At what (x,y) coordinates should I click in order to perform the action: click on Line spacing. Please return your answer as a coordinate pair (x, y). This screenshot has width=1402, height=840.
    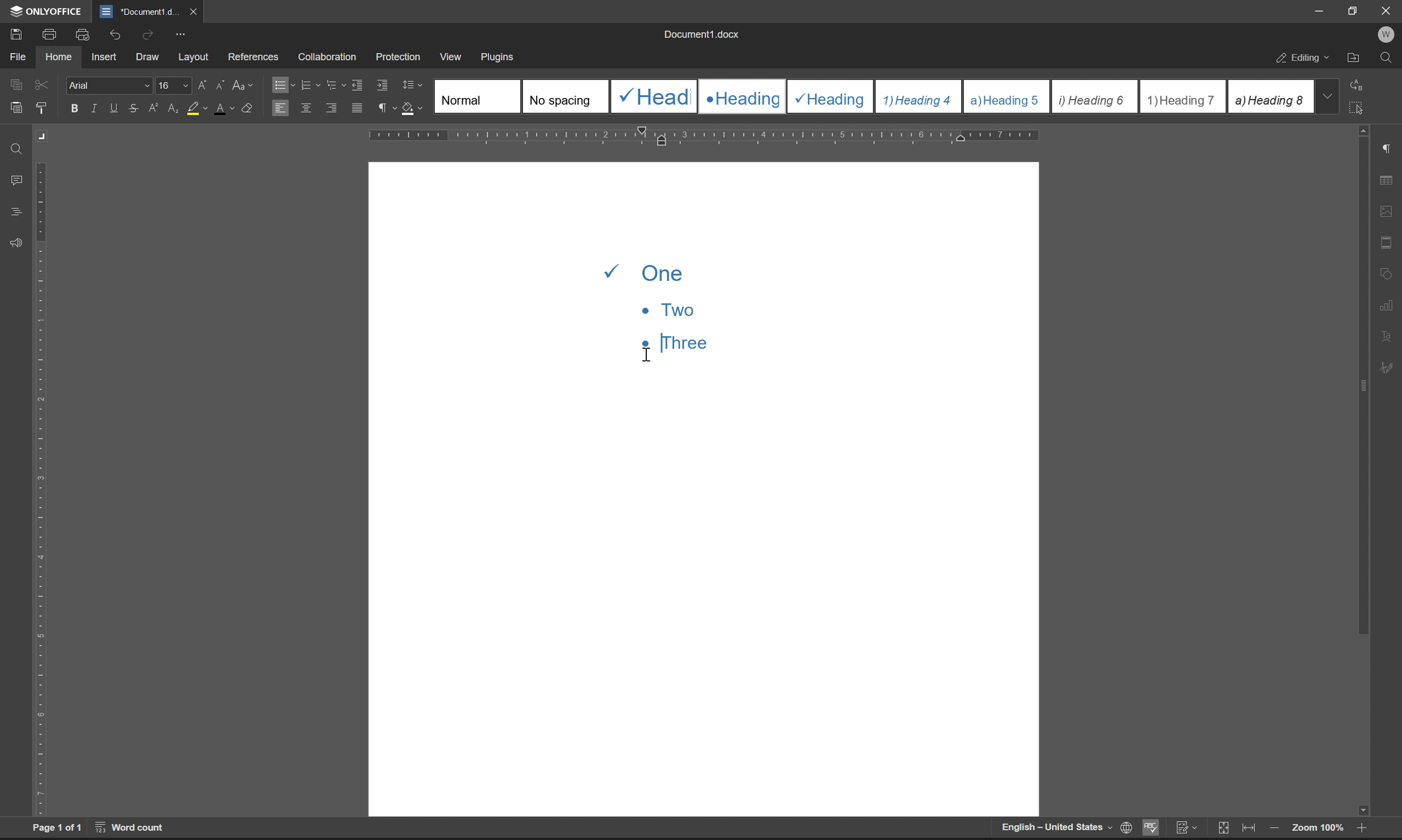
    Looking at the image, I should click on (417, 85).